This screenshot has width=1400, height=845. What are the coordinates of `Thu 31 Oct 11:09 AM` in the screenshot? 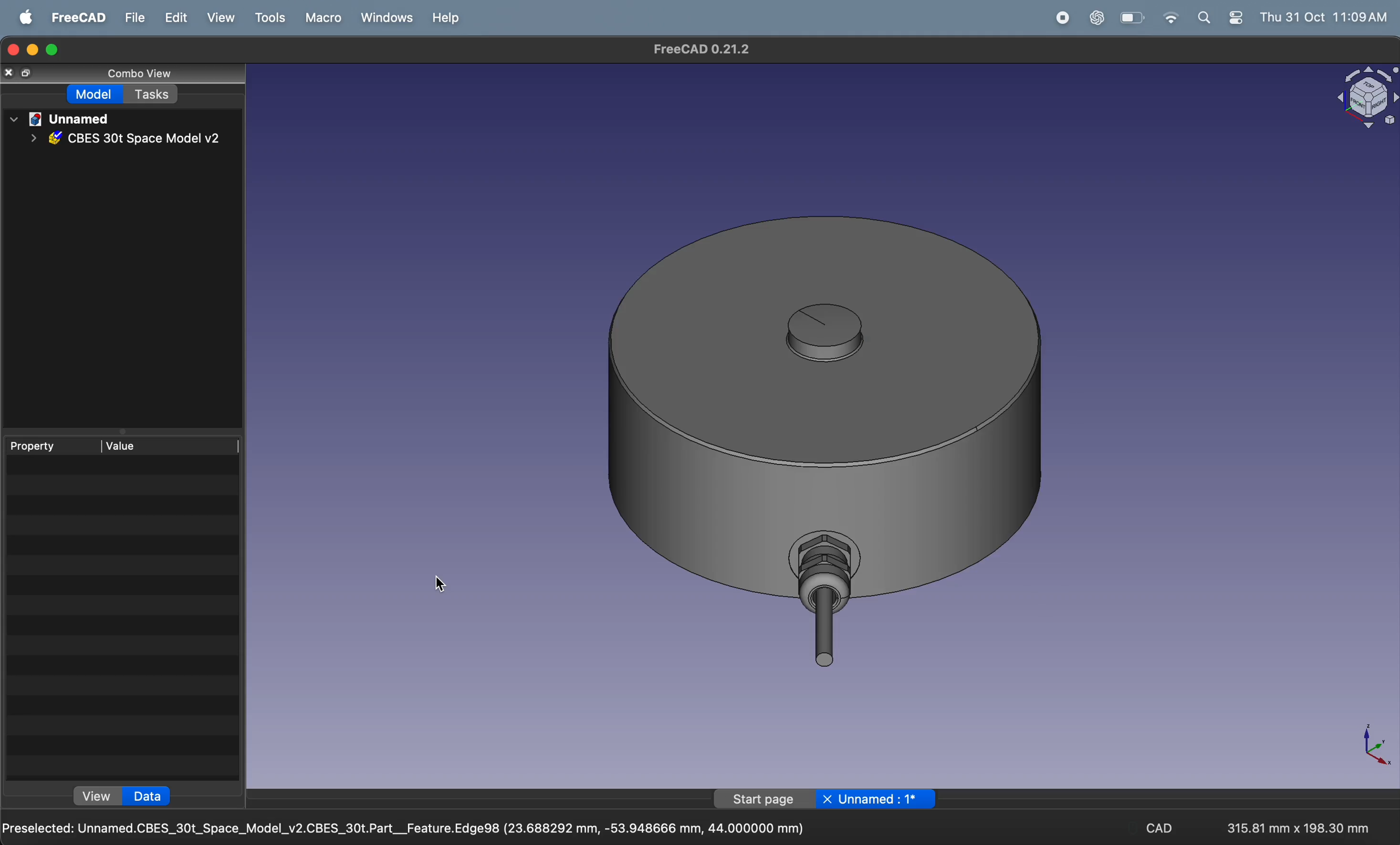 It's located at (1325, 18).